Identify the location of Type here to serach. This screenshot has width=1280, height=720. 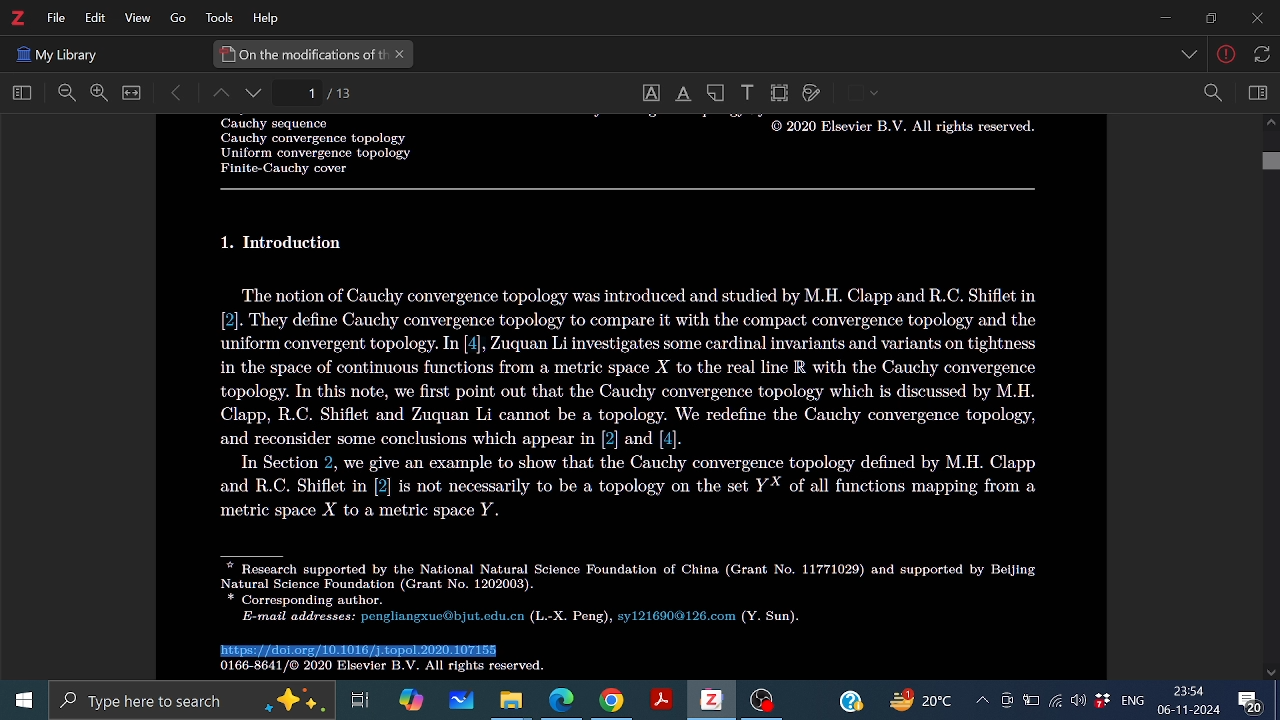
(190, 701).